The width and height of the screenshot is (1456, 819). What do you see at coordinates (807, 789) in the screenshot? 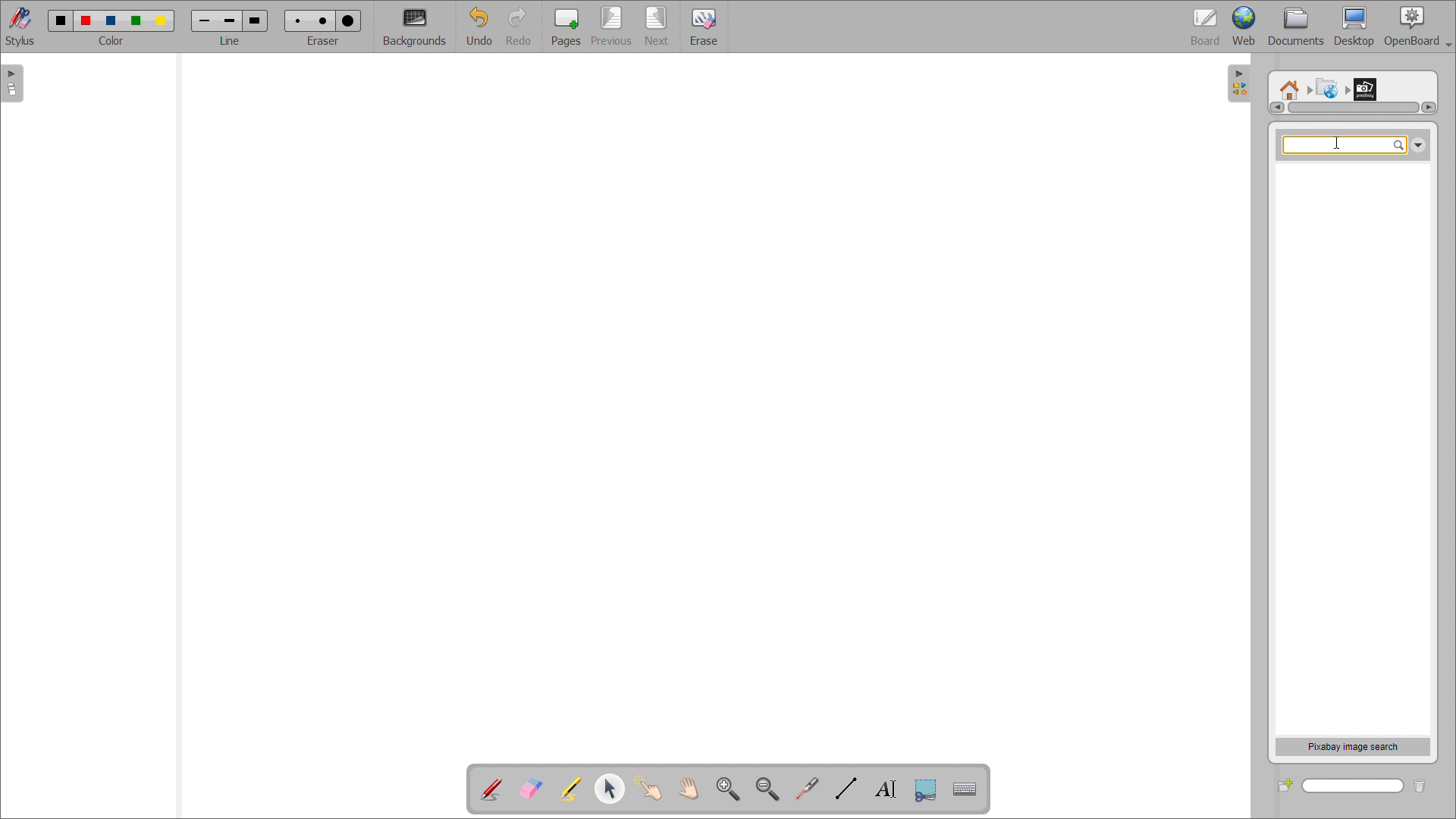
I see `virtual laser pointer` at bounding box center [807, 789].